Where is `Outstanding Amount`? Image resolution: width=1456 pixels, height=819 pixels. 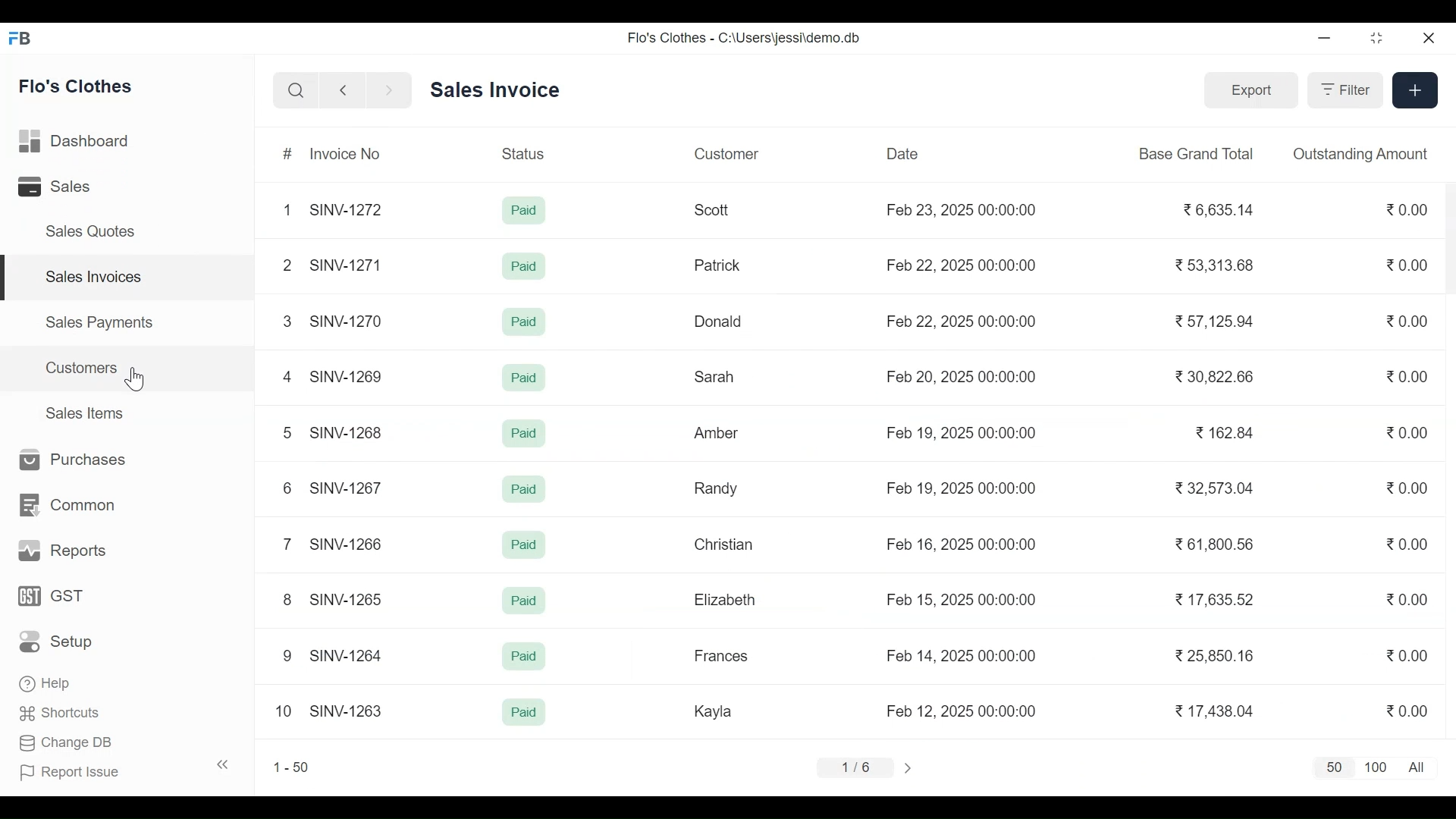 Outstanding Amount is located at coordinates (1362, 153).